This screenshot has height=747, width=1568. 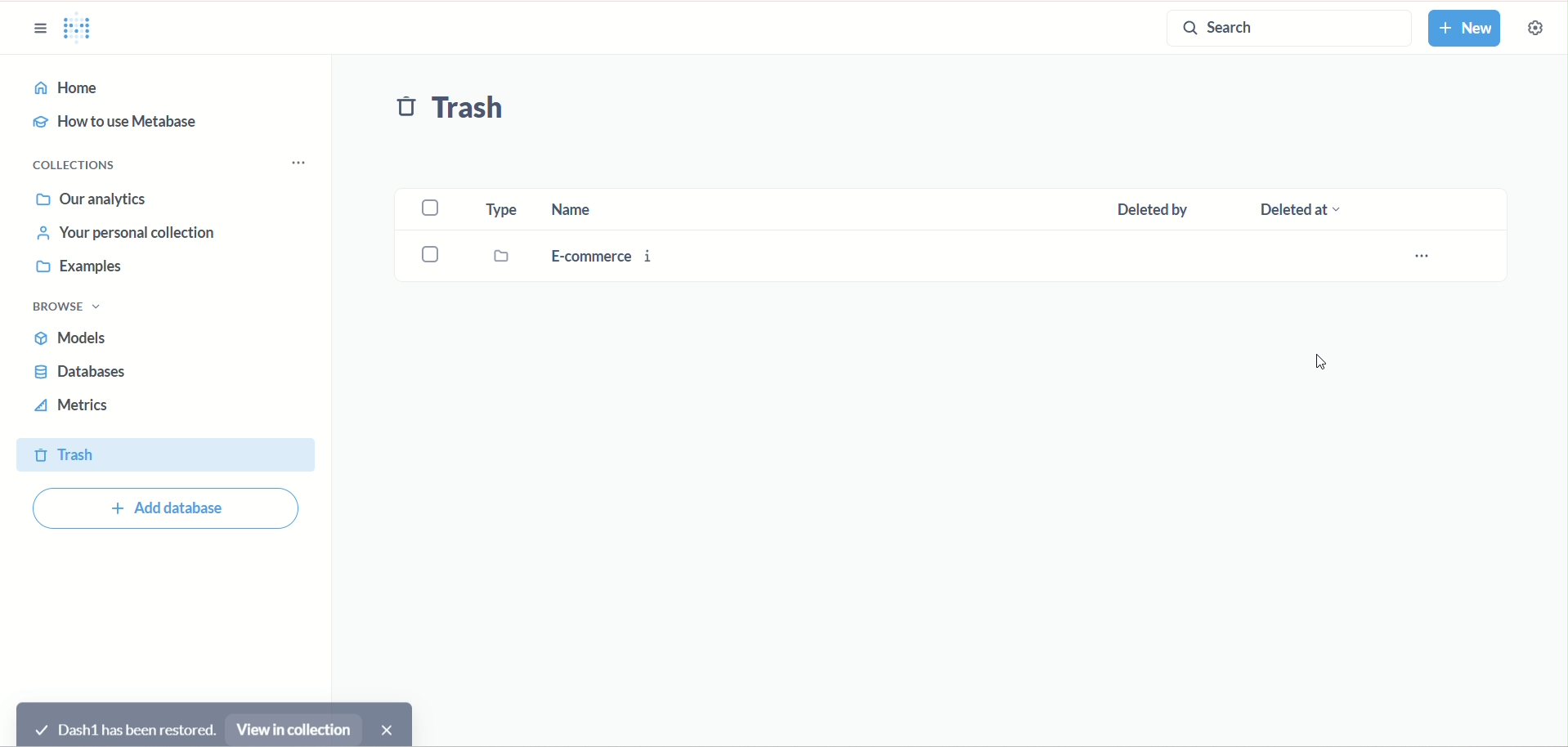 I want to click on examples, so click(x=80, y=268).